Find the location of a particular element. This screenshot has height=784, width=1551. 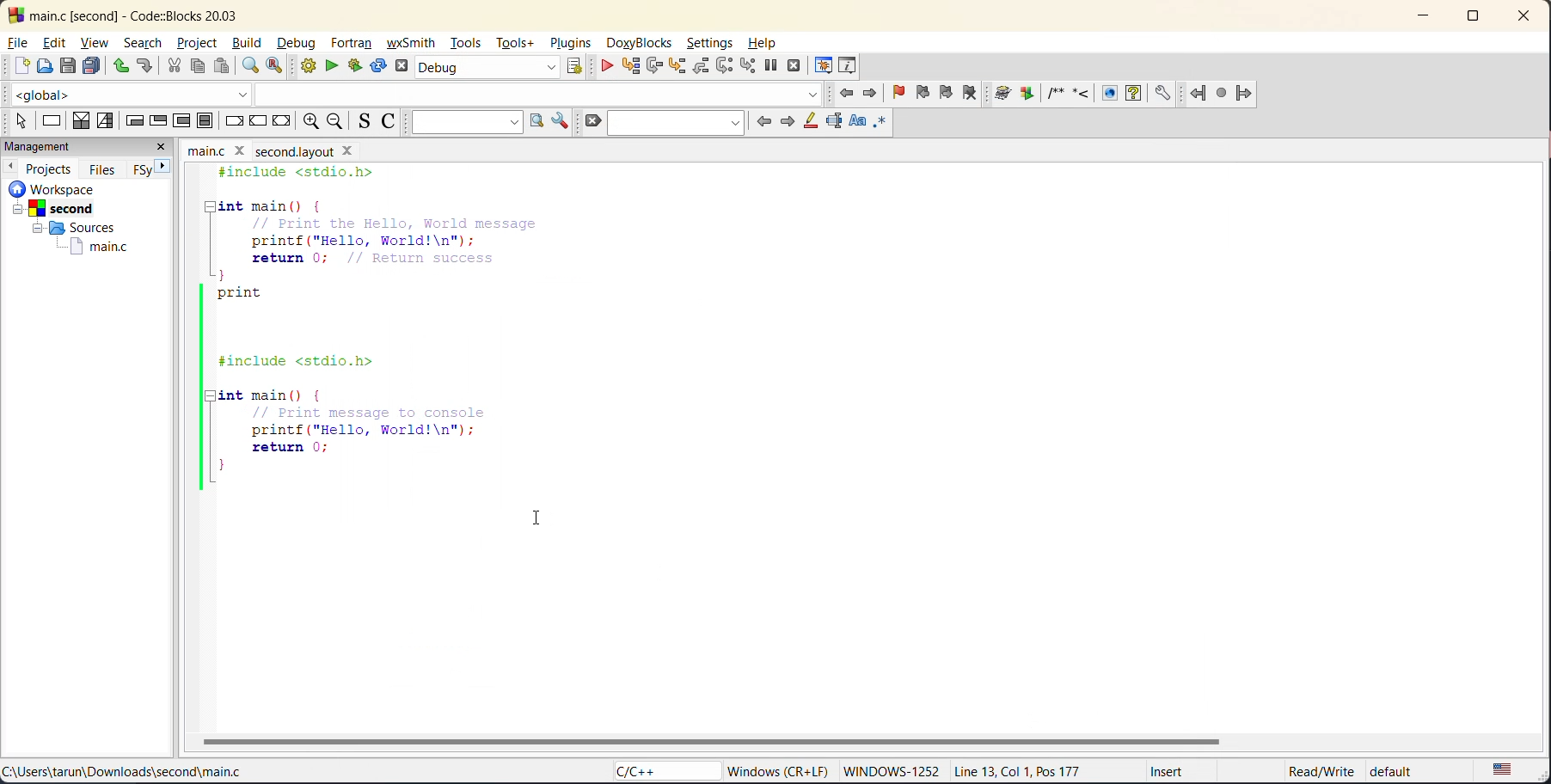

match case is located at coordinates (854, 123).